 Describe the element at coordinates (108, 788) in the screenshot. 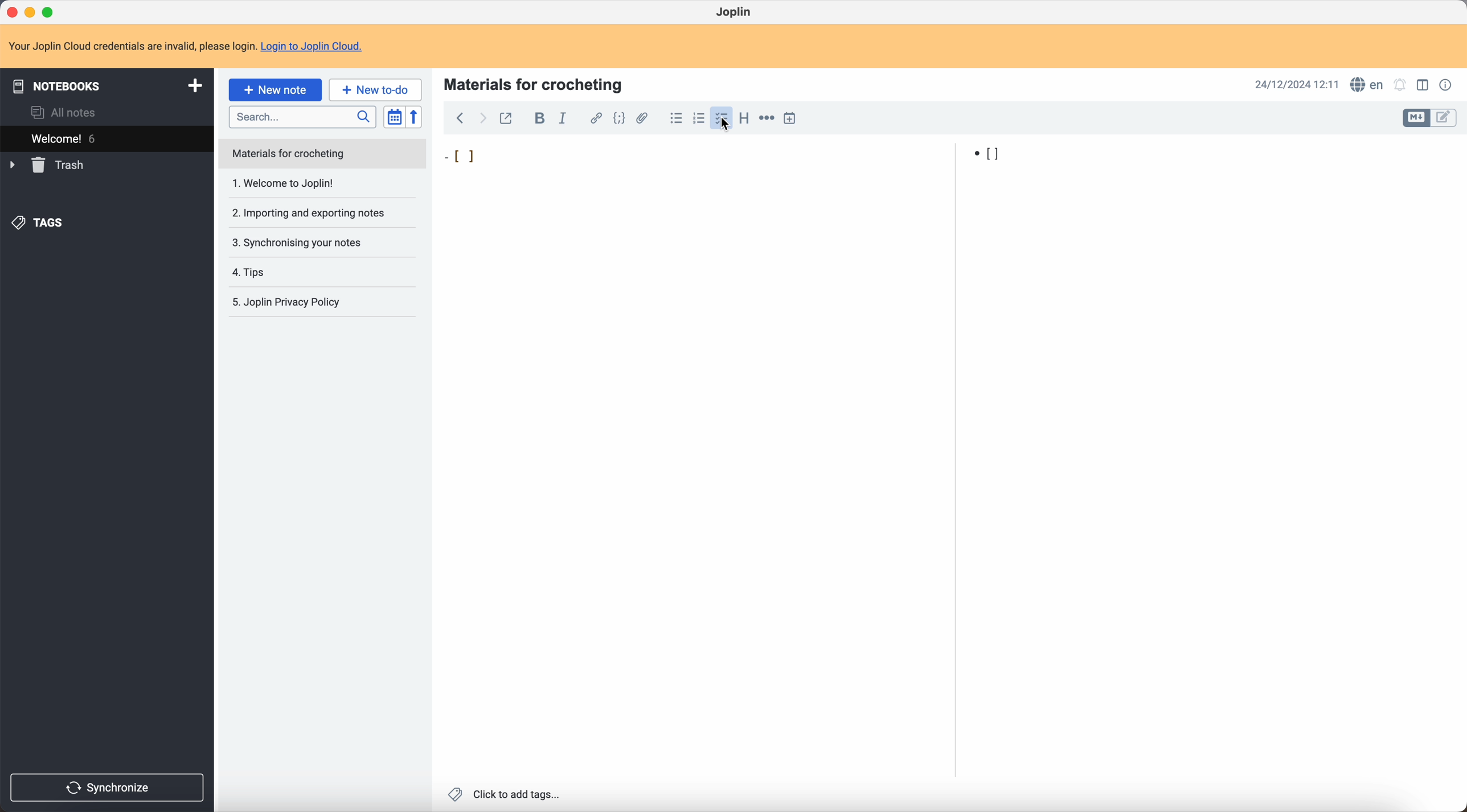

I see `synchronize` at that location.